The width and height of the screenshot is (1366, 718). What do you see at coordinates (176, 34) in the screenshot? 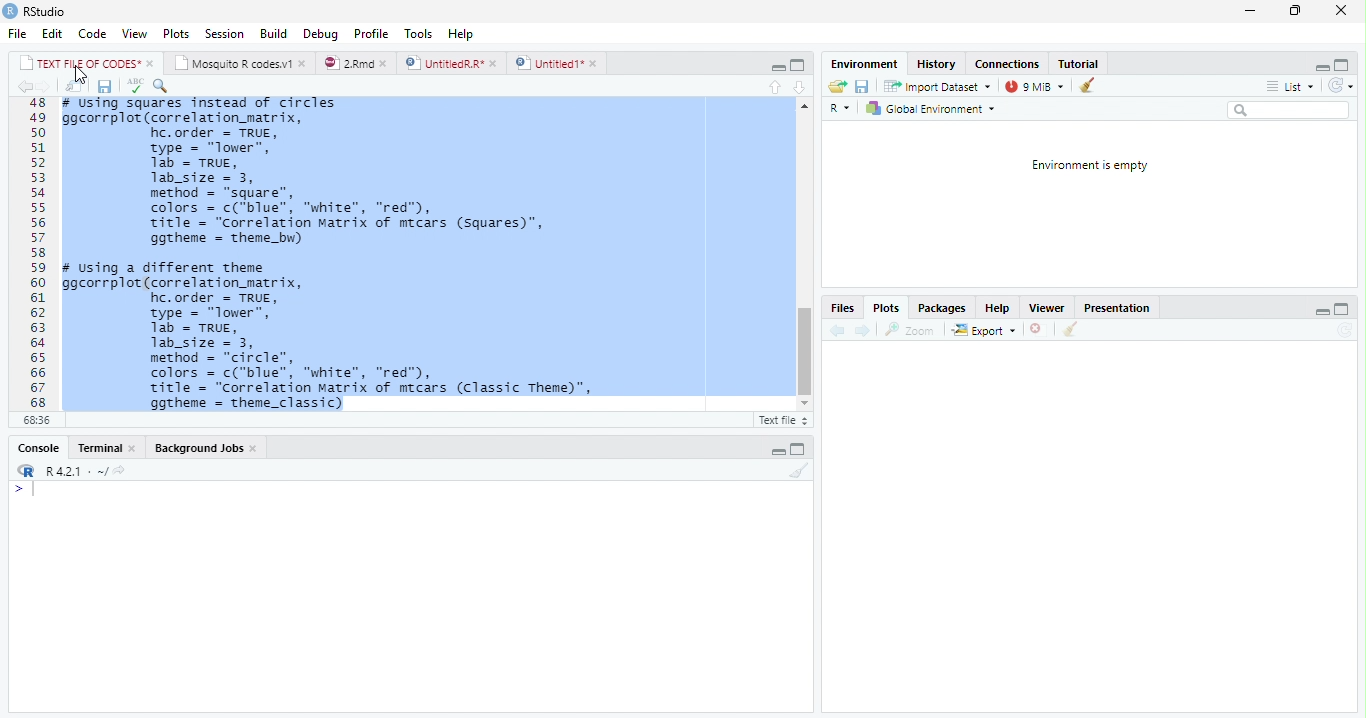
I see `Plots` at bounding box center [176, 34].